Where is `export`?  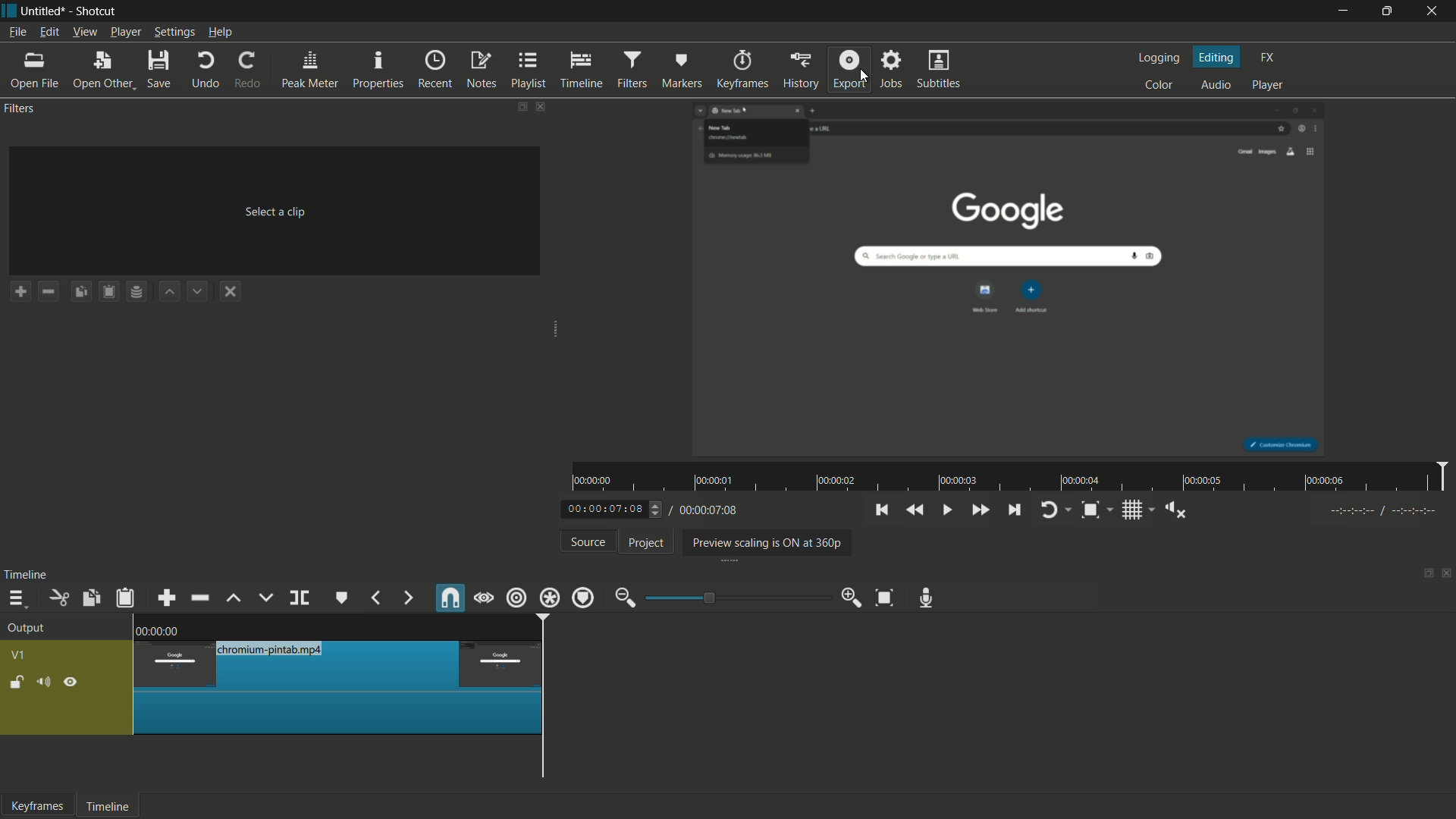 export is located at coordinates (849, 68).